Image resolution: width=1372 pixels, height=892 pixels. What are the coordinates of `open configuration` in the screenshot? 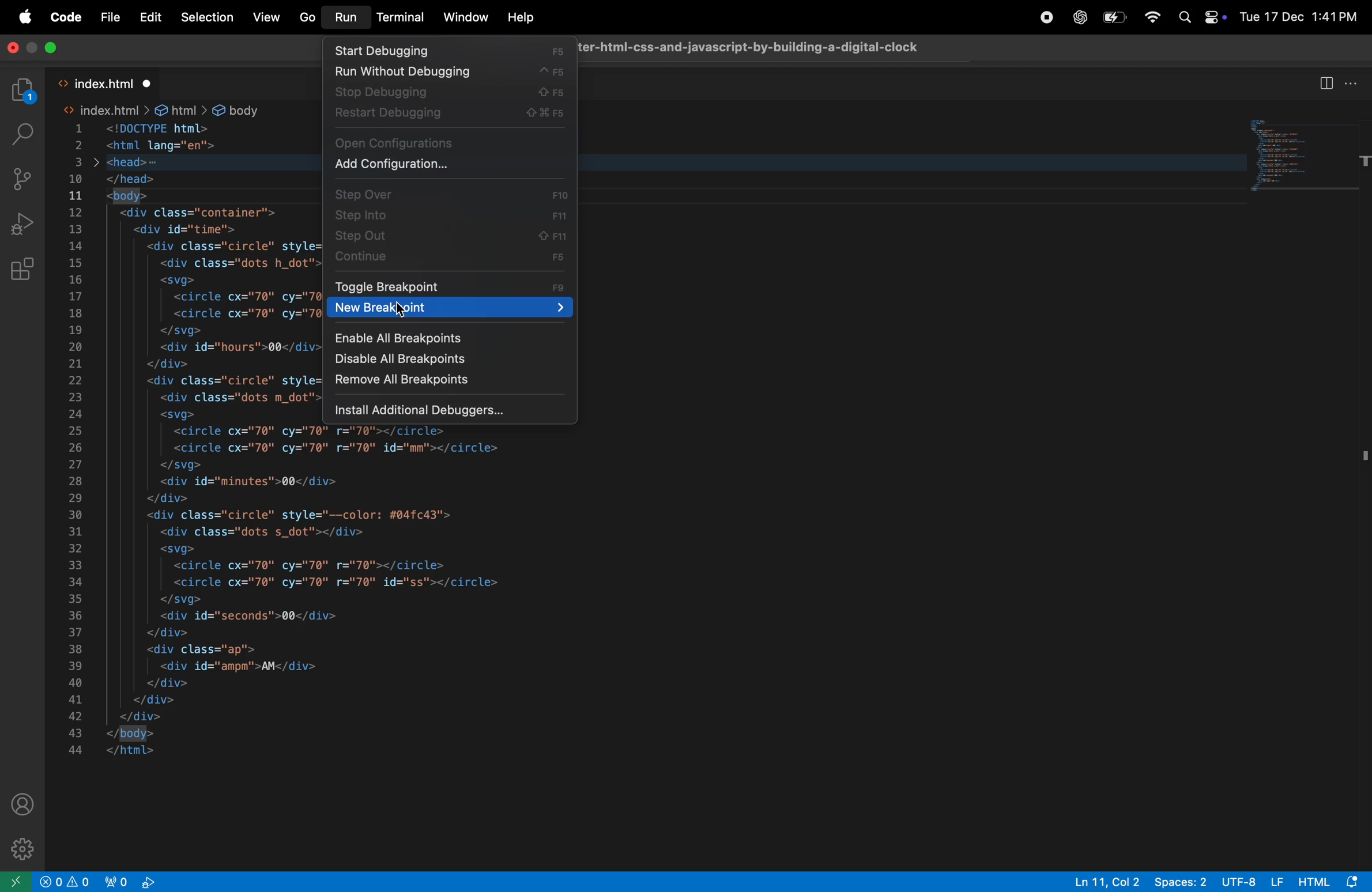 It's located at (450, 142).